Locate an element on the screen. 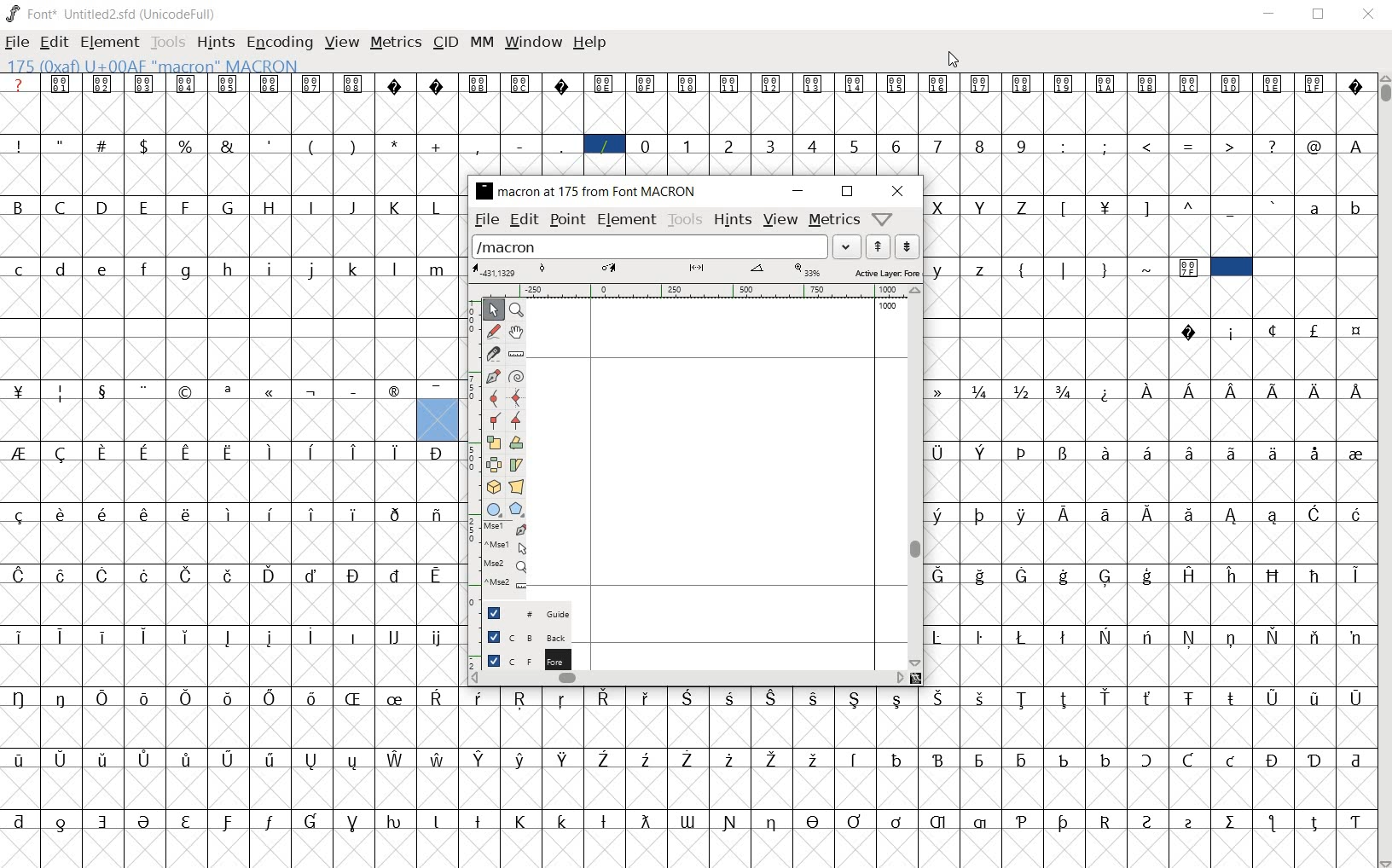 This screenshot has height=868, width=1392. " is located at coordinates (62, 146).